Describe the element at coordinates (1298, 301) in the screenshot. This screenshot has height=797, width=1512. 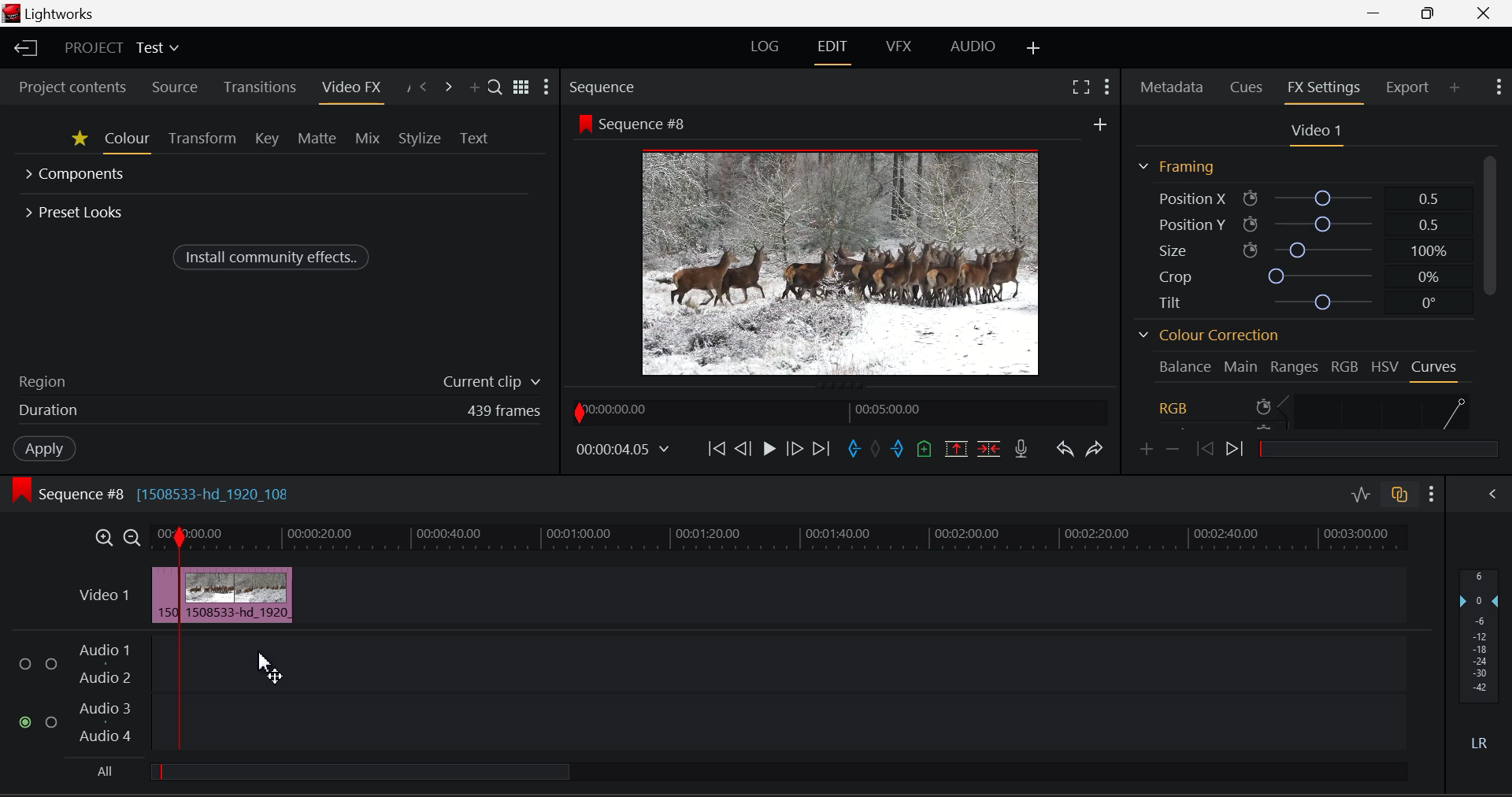
I see `Tilt` at that location.